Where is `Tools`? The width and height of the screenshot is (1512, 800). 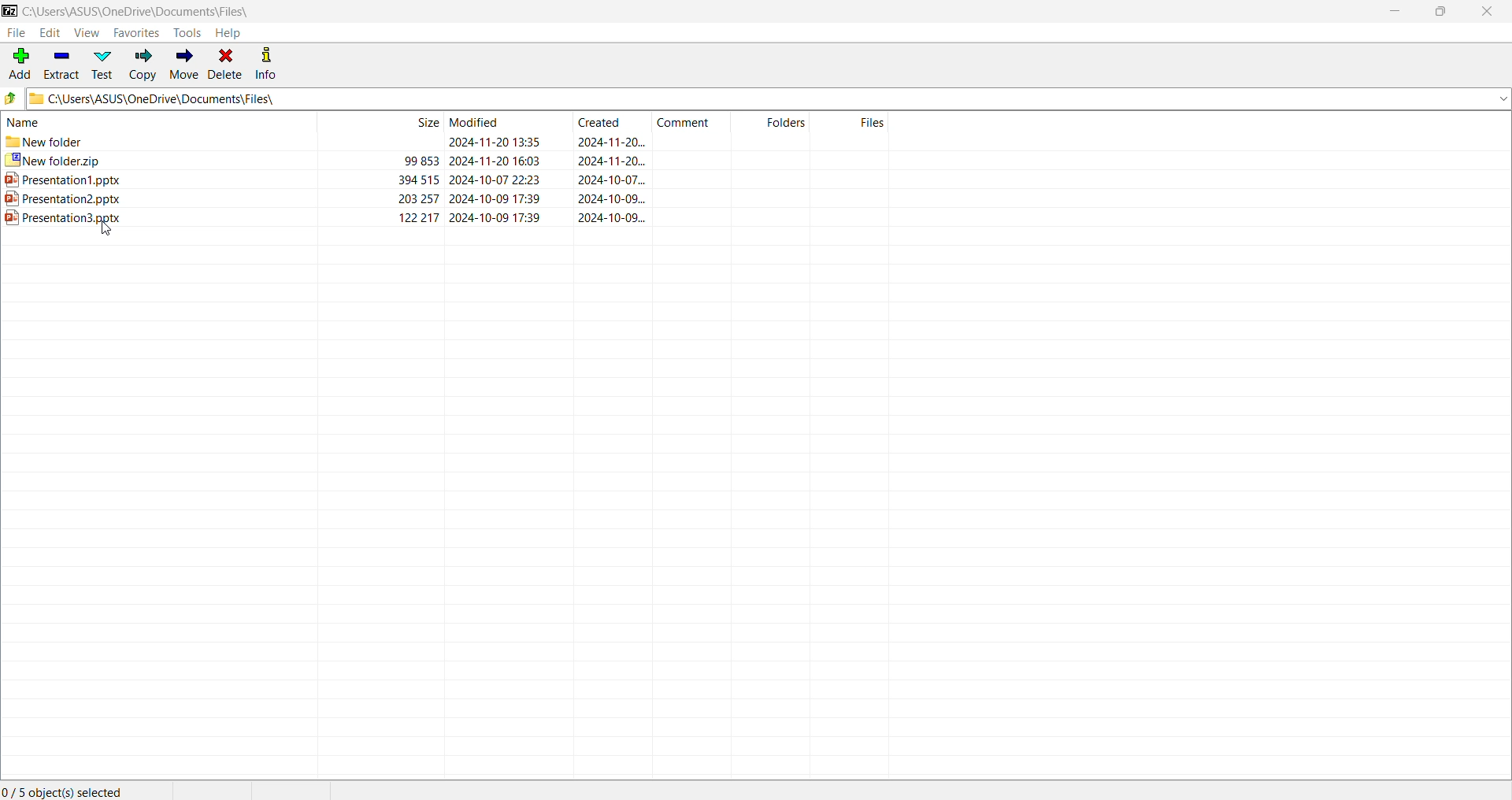
Tools is located at coordinates (187, 32).